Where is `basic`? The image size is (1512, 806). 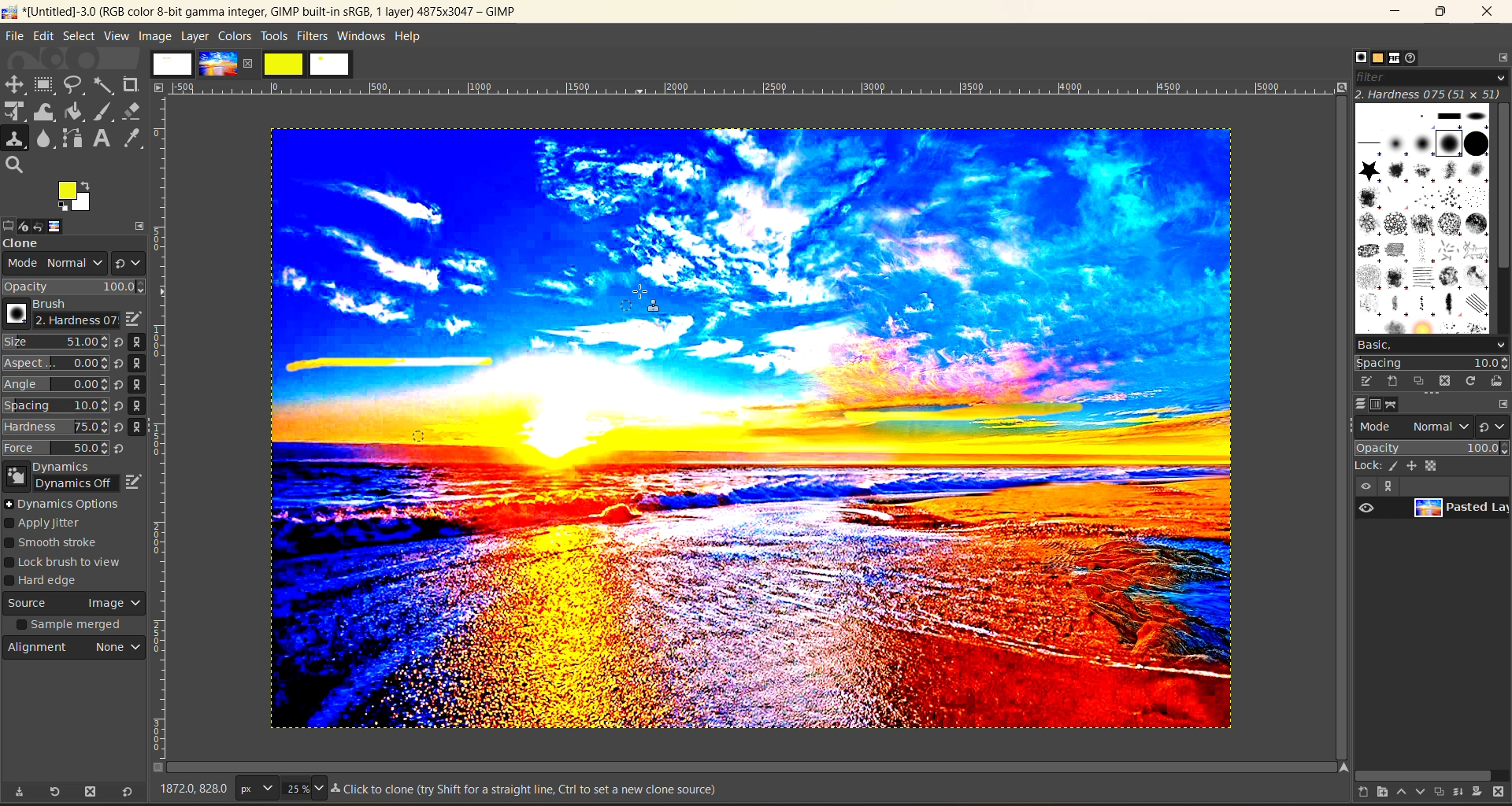
basic is located at coordinates (1430, 344).